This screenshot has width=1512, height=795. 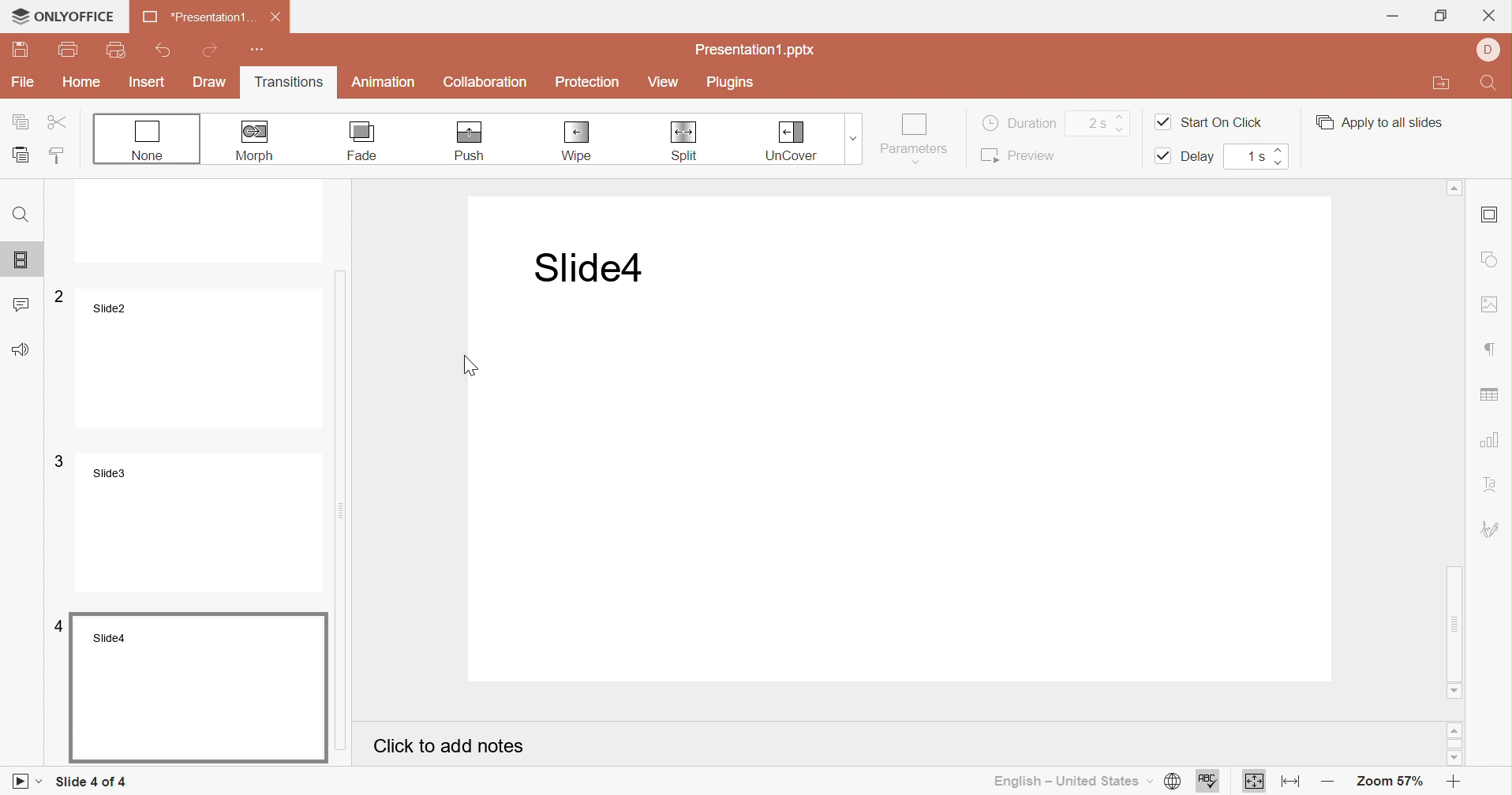 I want to click on Scroll bar, so click(x=1456, y=435).